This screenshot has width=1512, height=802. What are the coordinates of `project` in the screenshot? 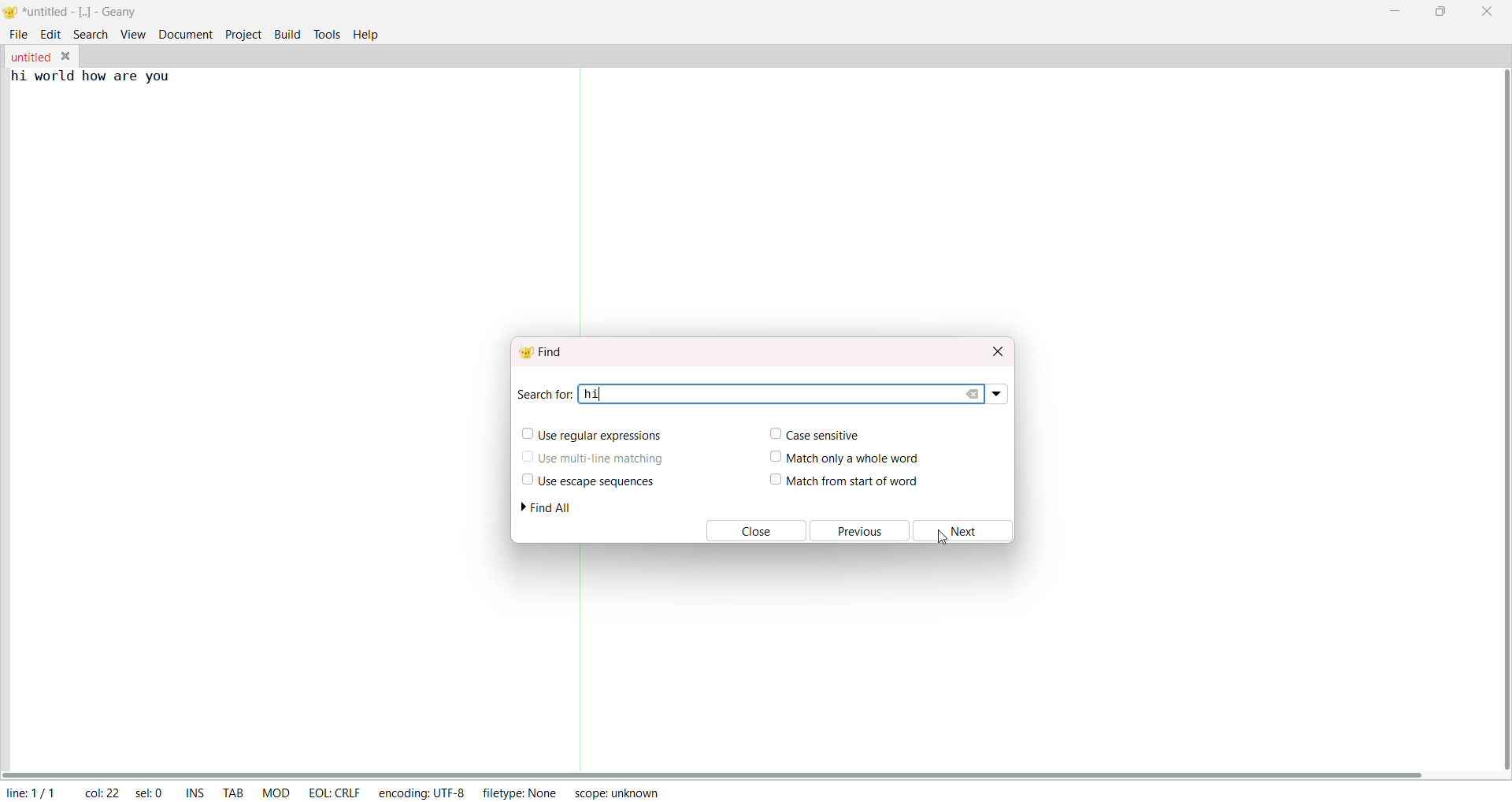 It's located at (243, 34).